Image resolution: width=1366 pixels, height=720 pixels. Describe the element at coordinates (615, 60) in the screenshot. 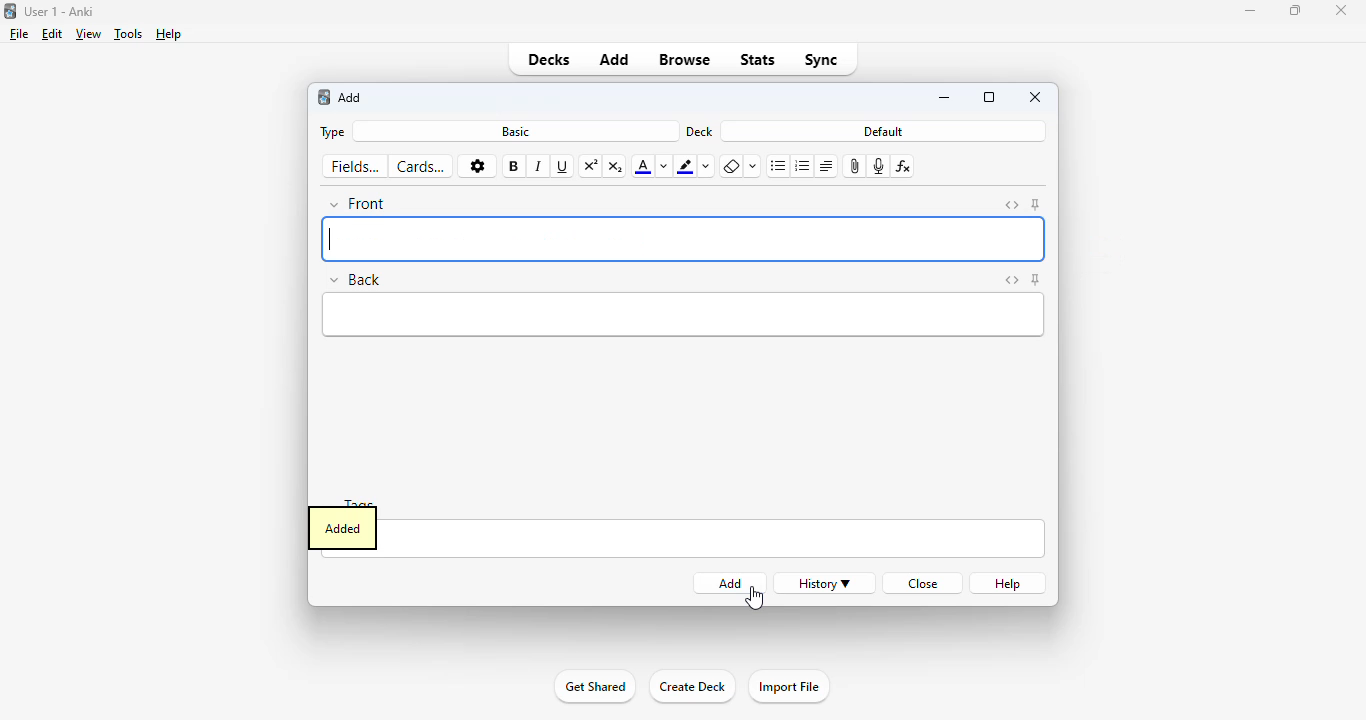

I see `add` at that location.